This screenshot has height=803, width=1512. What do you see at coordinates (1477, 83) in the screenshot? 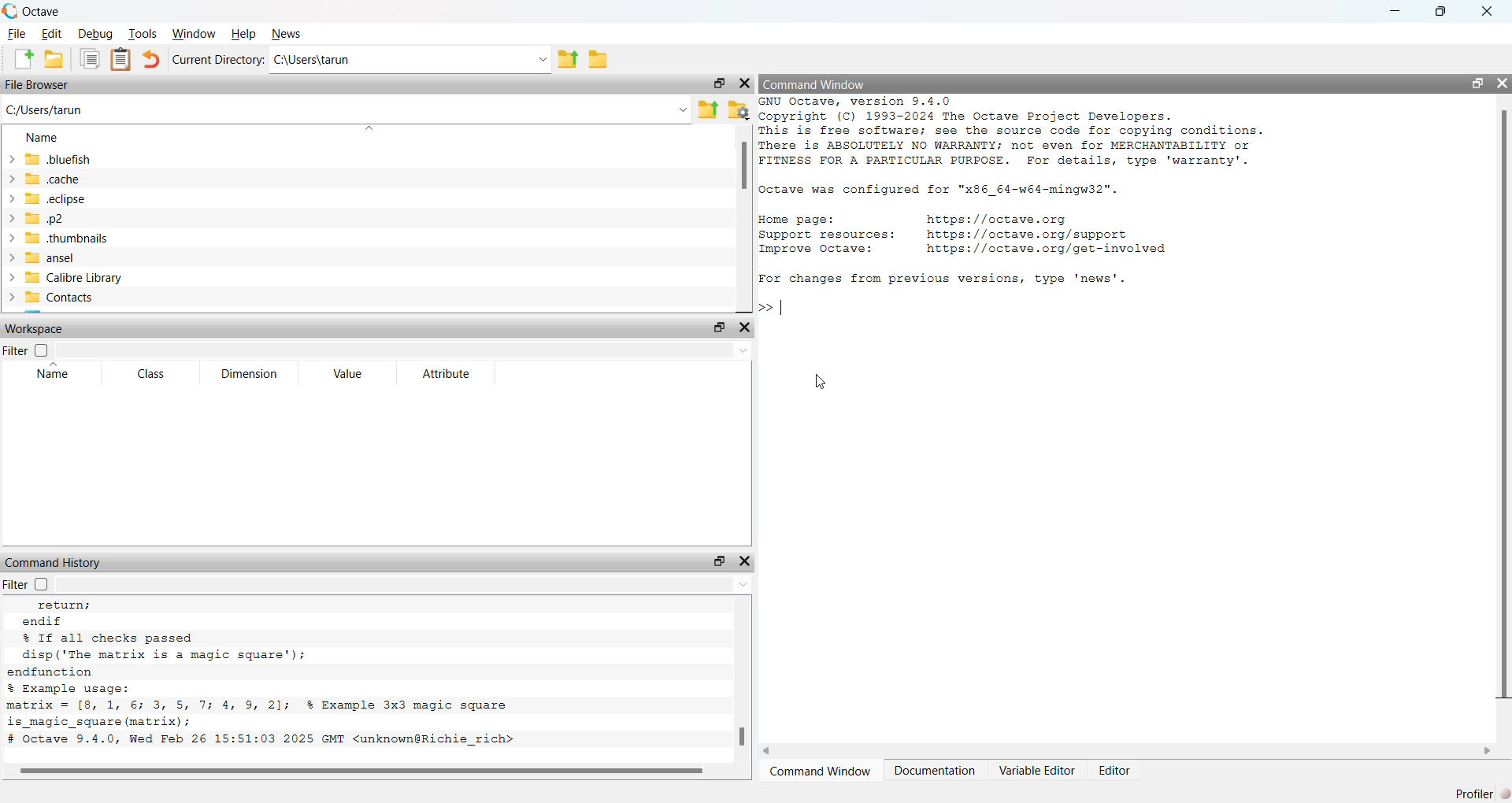
I see `maximize` at bounding box center [1477, 83].